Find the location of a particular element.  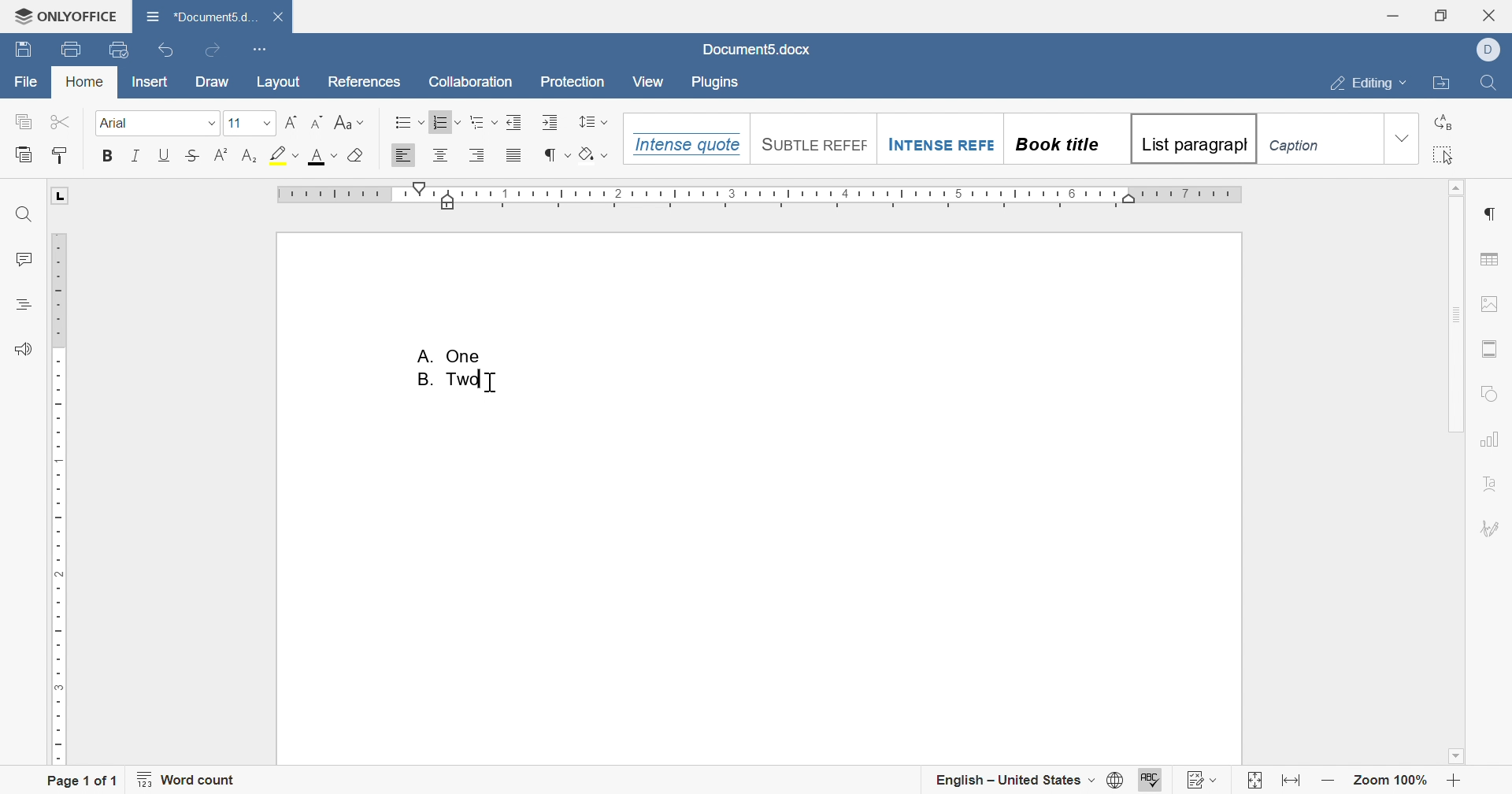

fit to width is located at coordinates (1293, 783).